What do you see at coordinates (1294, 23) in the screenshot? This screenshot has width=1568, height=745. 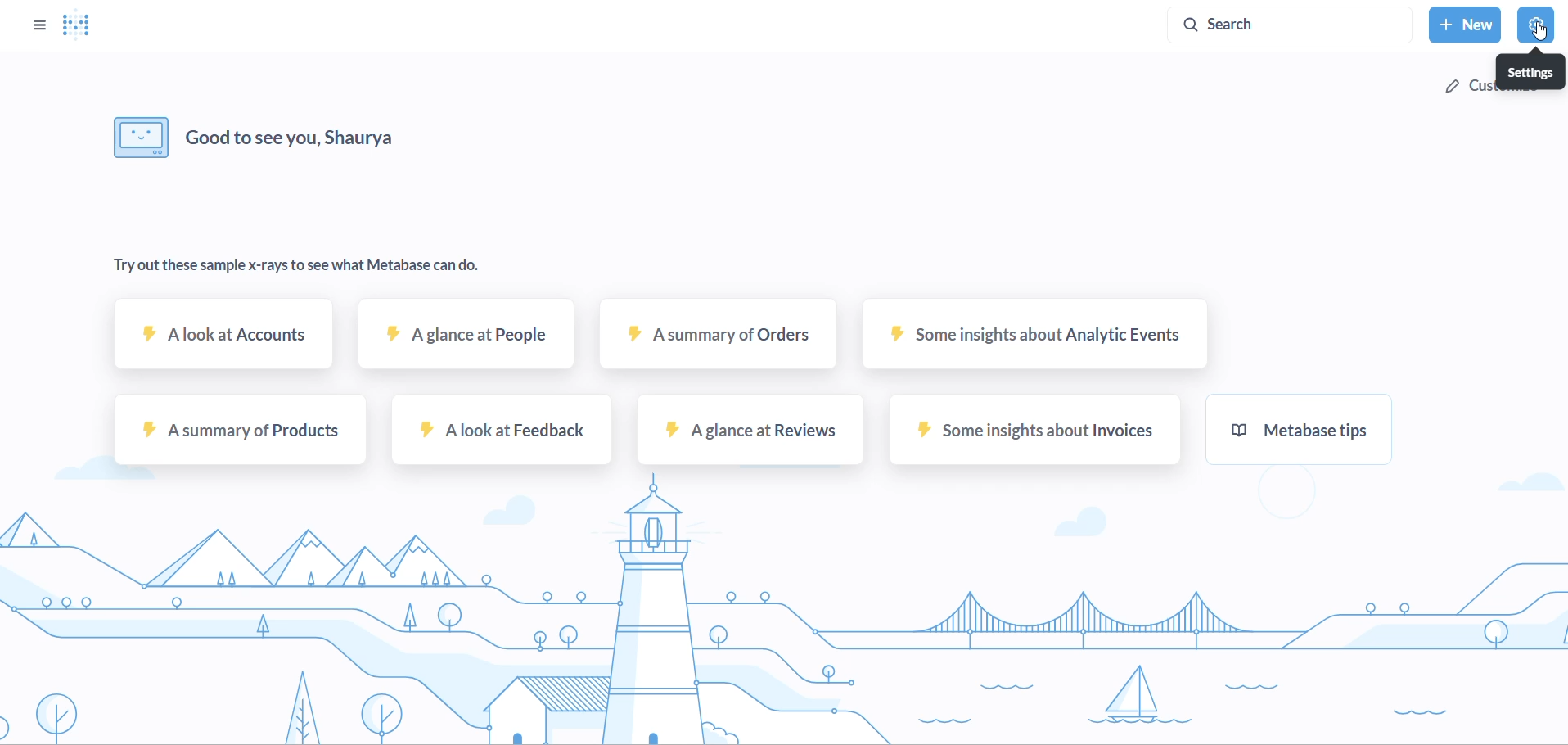 I see `SEARCH` at bounding box center [1294, 23].